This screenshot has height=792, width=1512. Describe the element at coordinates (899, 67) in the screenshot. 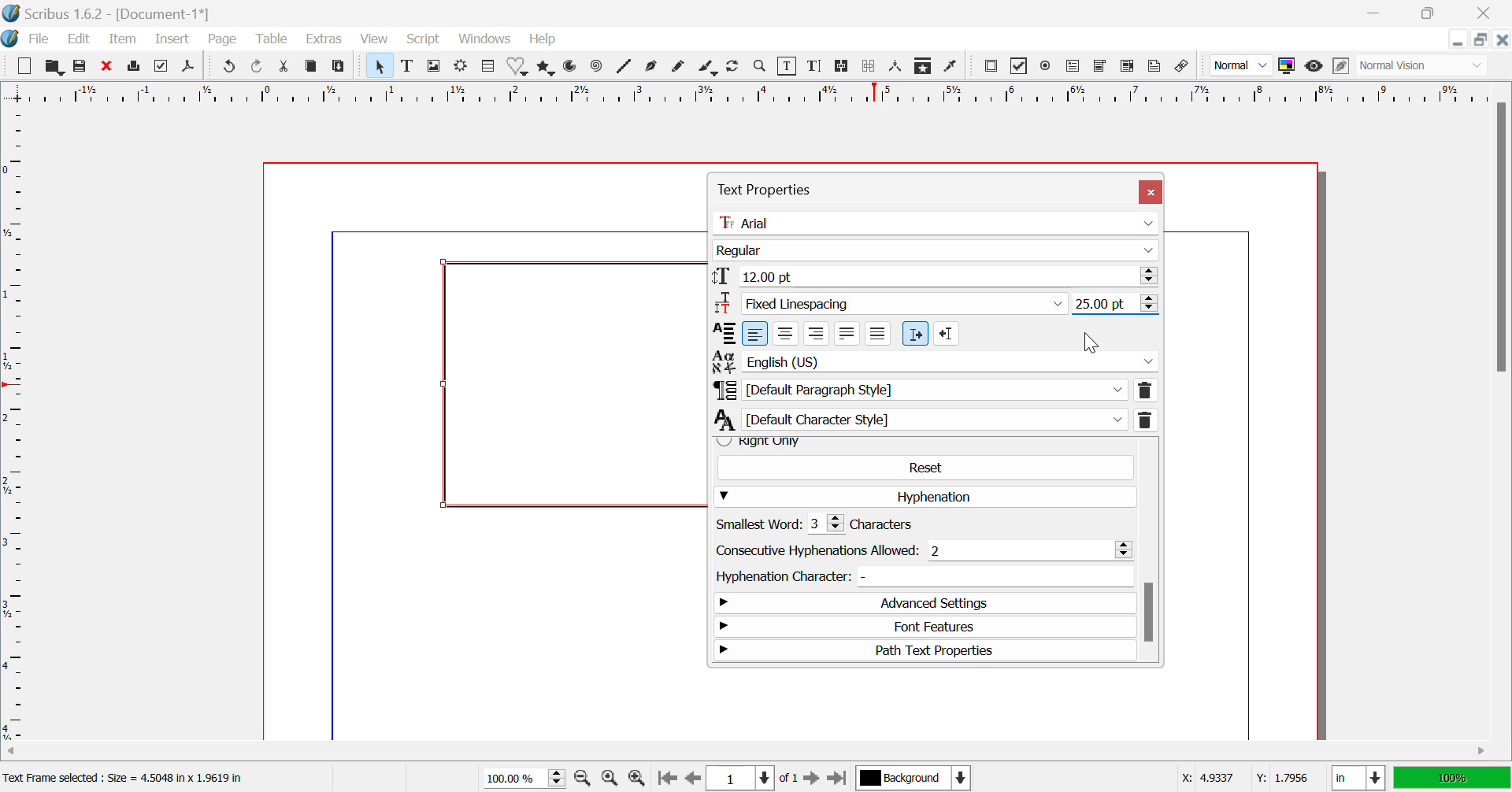

I see `Measurements` at that location.